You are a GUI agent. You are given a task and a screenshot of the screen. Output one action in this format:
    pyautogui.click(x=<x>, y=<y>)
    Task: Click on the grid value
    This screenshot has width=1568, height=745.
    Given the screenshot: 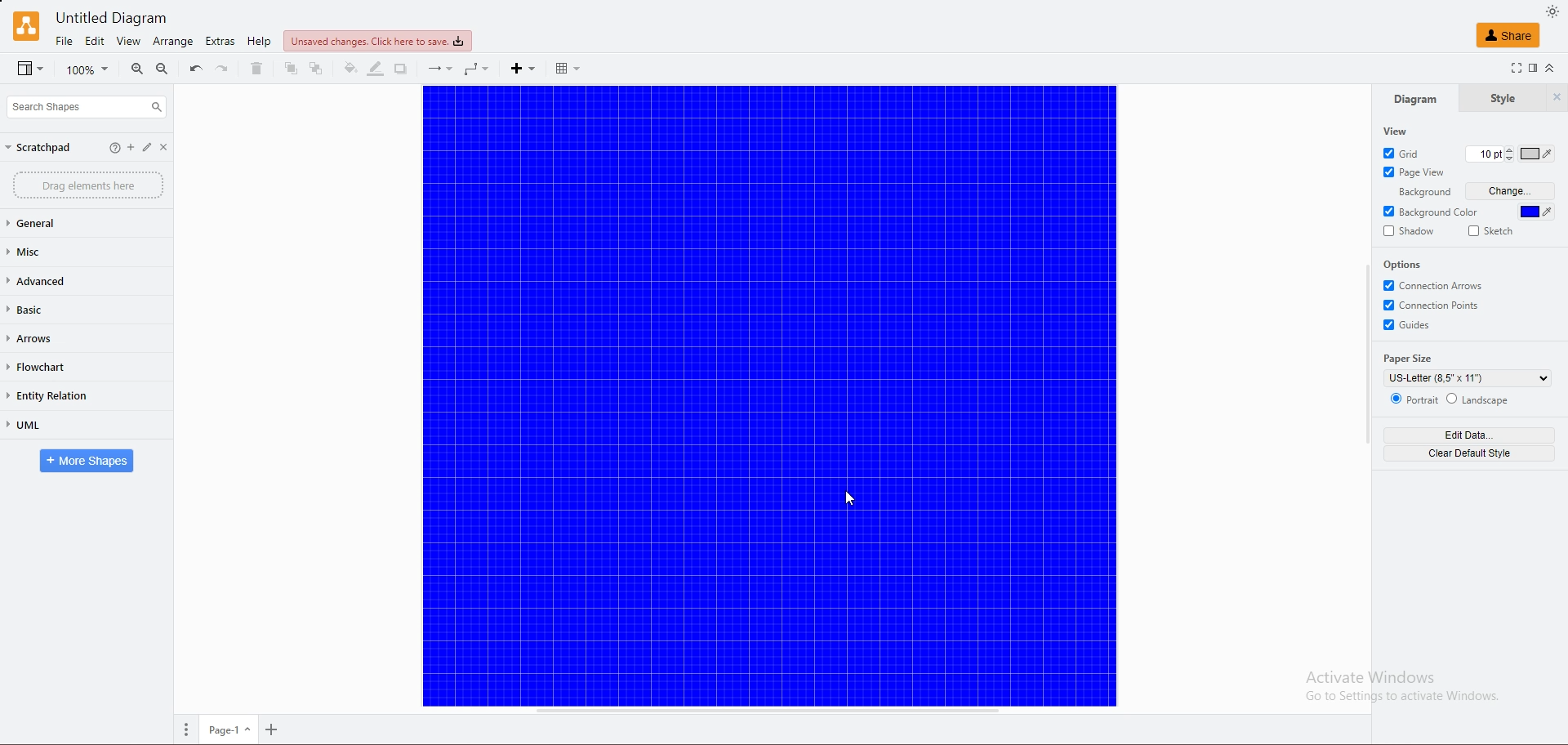 What is the action you would take?
    pyautogui.click(x=1482, y=155)
    